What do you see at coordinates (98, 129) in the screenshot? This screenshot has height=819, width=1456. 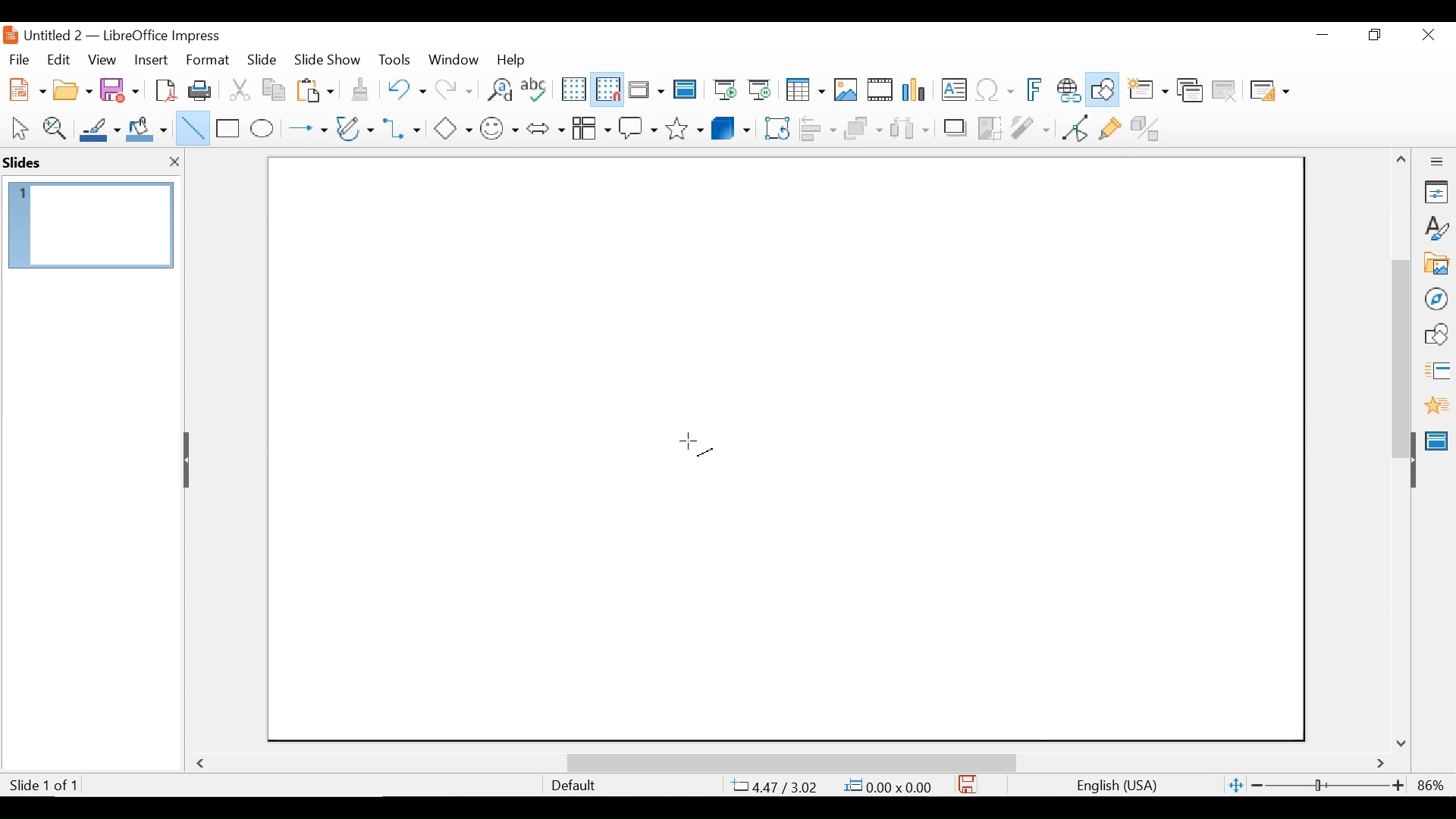 I see `Line Color` at bounding box center [98, 129].